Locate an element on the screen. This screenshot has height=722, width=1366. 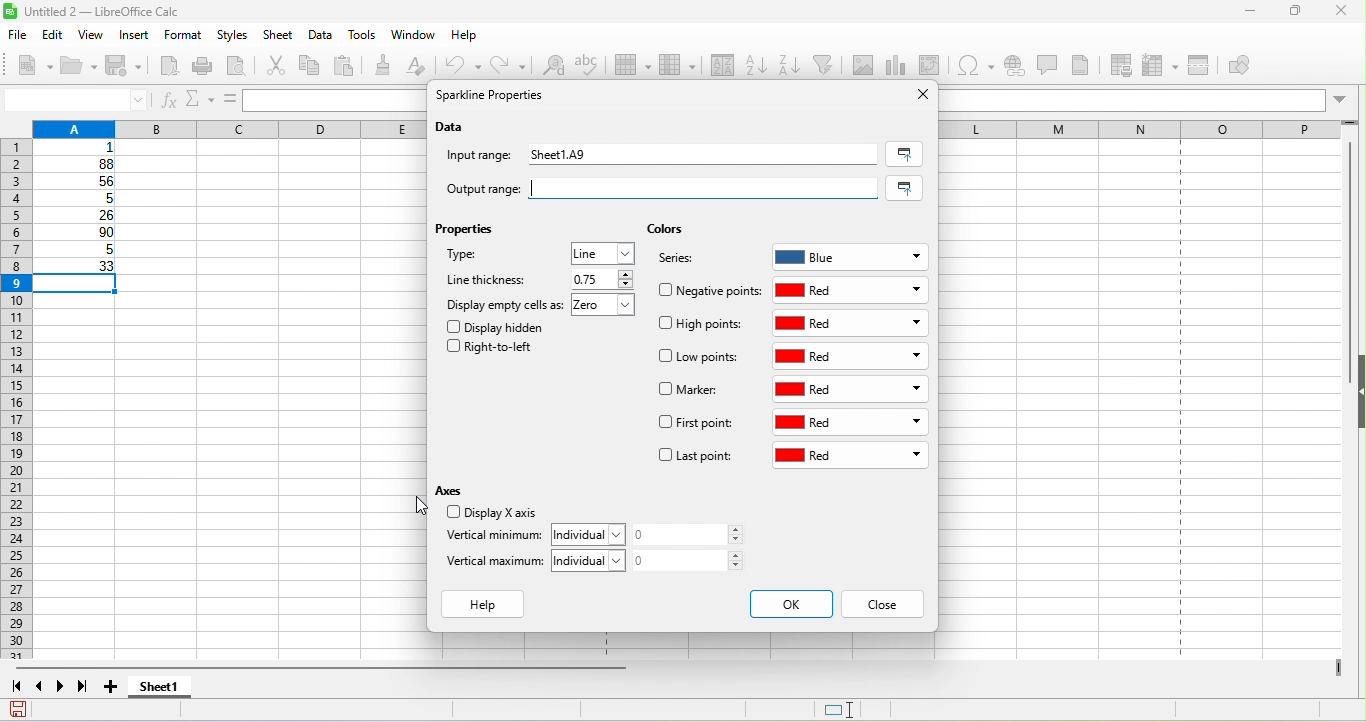
display empty cells as is located at coordinates (505, 304).